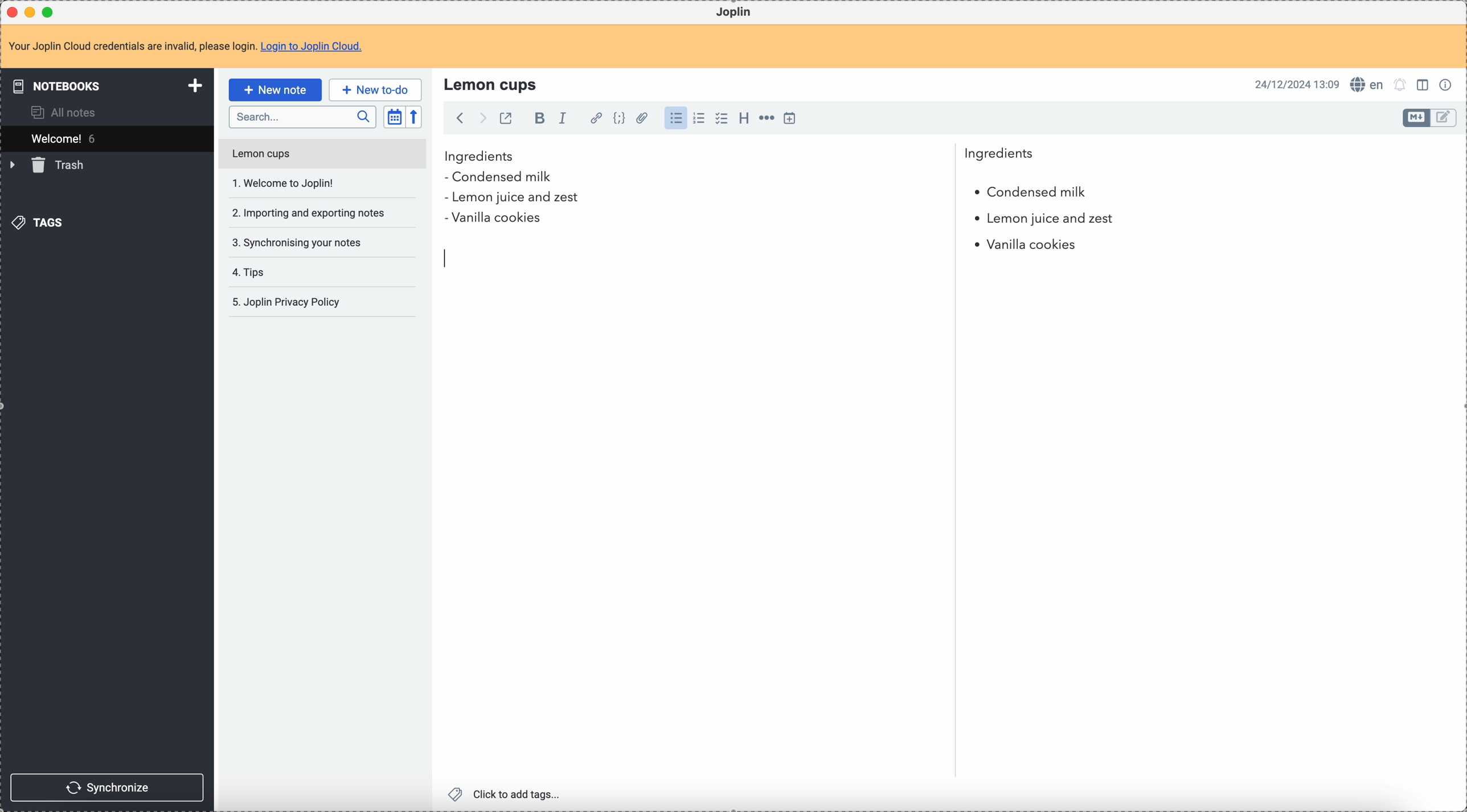 This screenshot has width=1467, height=812. What do you see at coordinates (619, 119) in the screenshot?
I see `code` at bounding box center [619, 119].